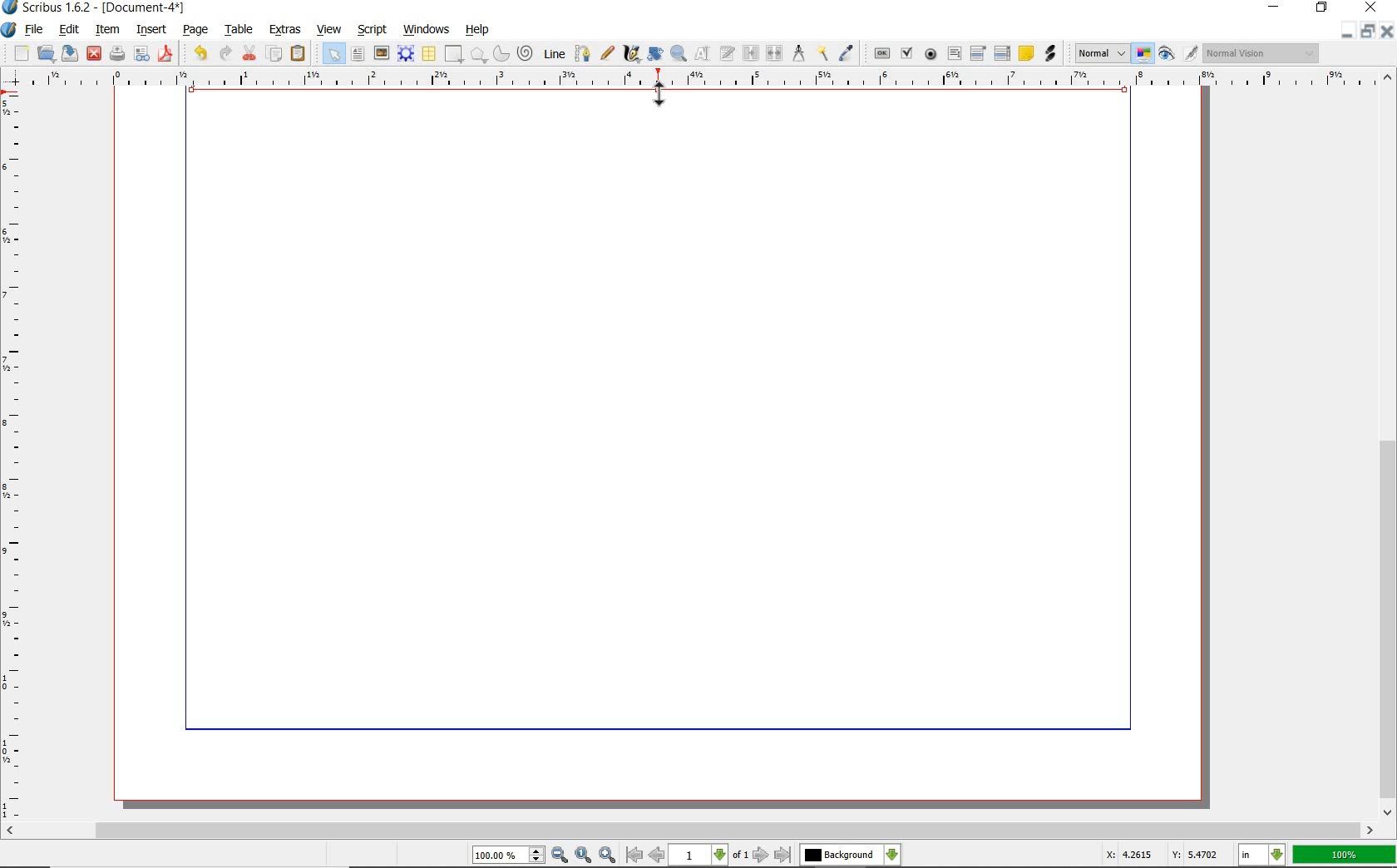 The image size is (1397, 868). Describe the element at coordinates (94, 54) in the screenshot. I see `close` at that location.